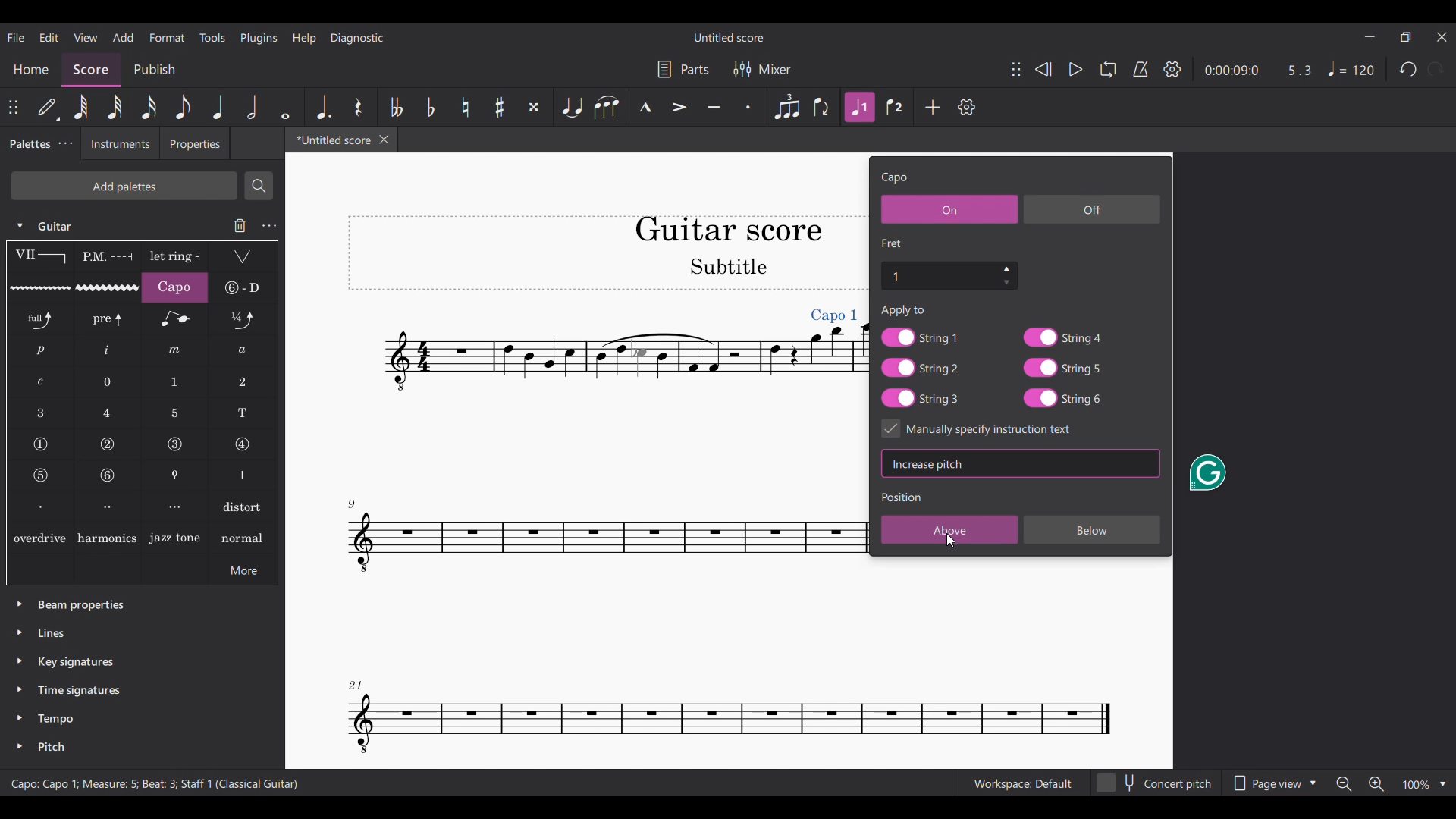 Image resolution: width=1456 pixels, height=819 pixels. What do you see at coordinates (1076, 70) in the screenshot?
I see `Play` at bounding box center [1076, 70].